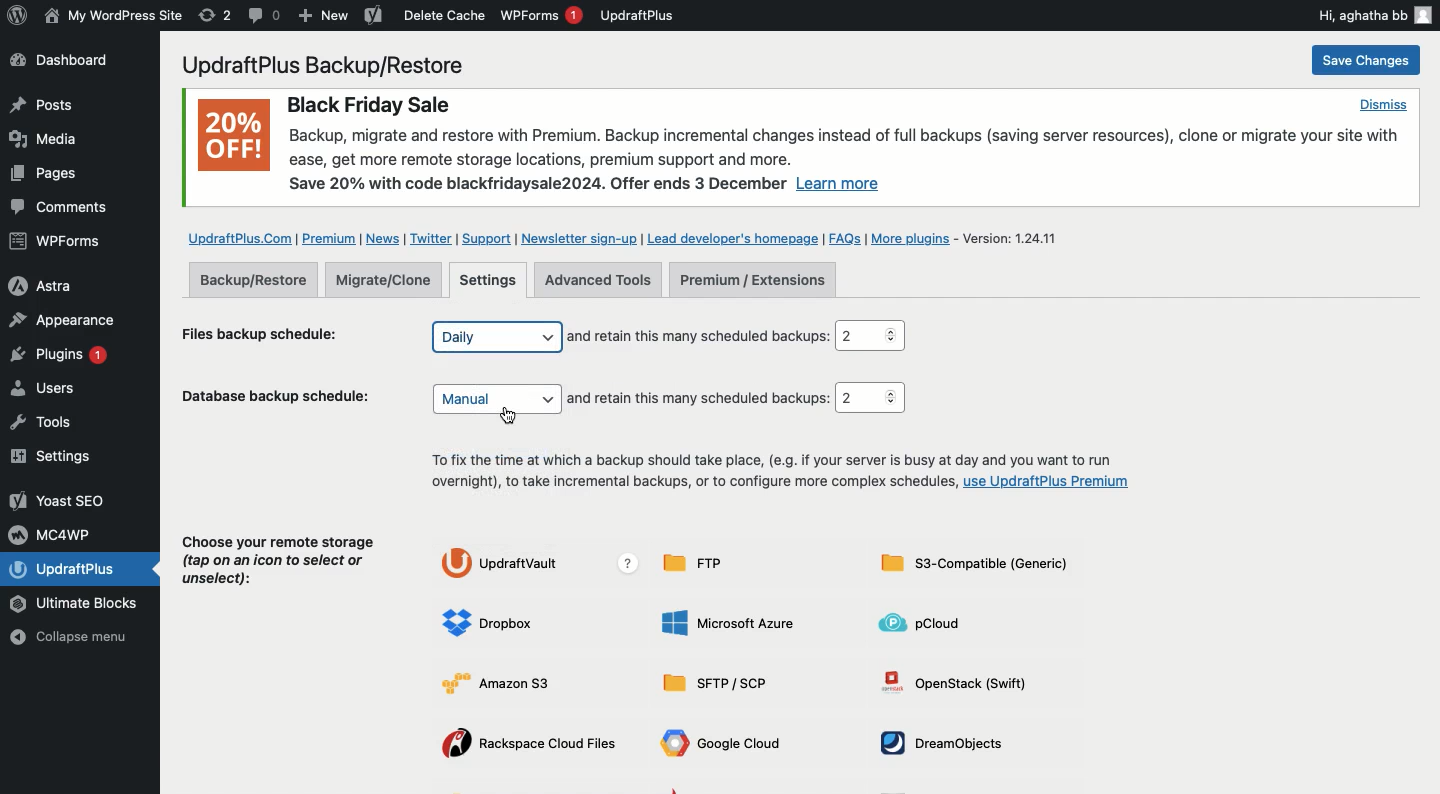 This screenshot has width=1440, height=794. What do you see at coordinates (269, 332) in the screenshot?
I see `Files backup schedule` at bounding box center [269, 332].